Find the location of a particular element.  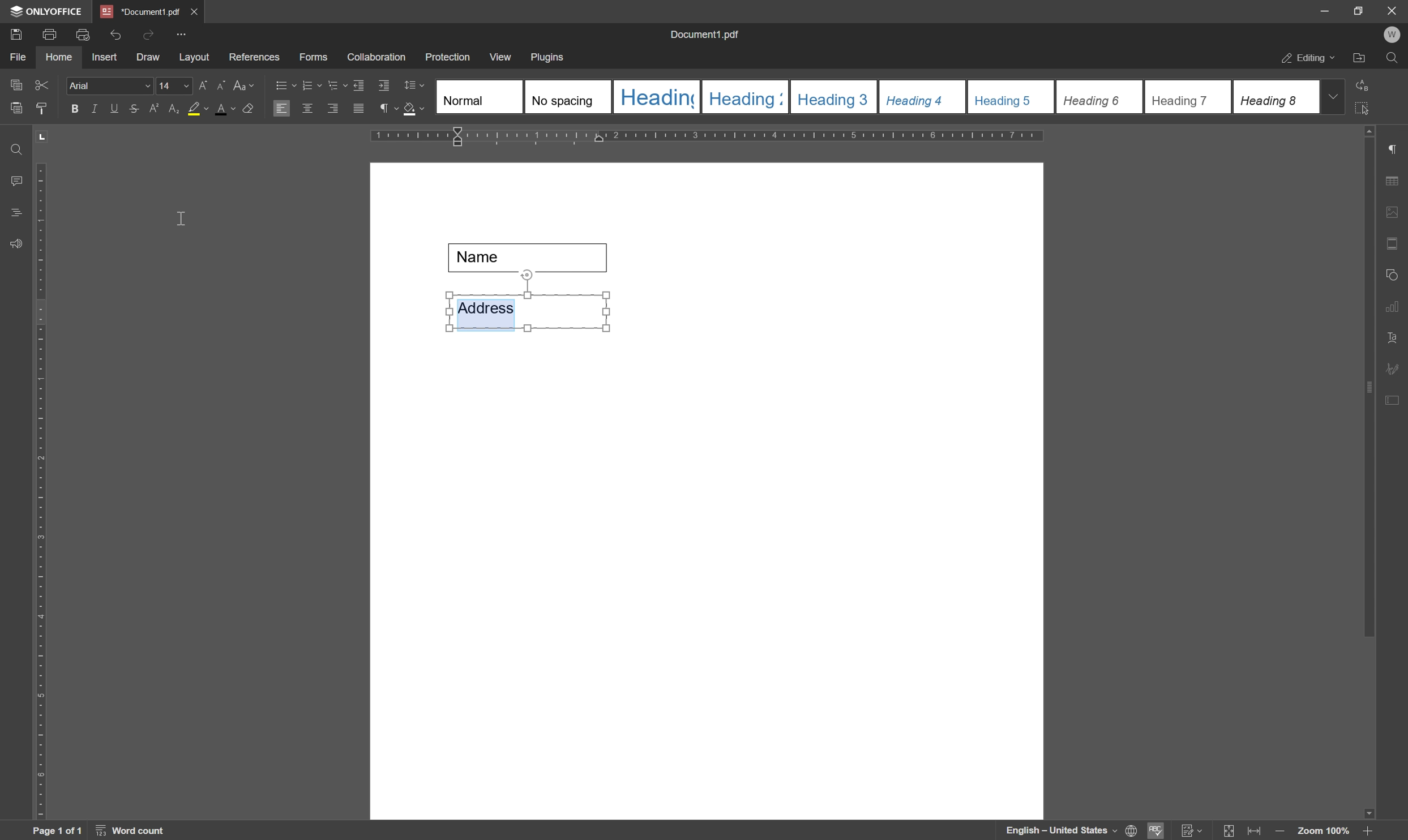

fit to slide is located at coordinates (1228, 831).